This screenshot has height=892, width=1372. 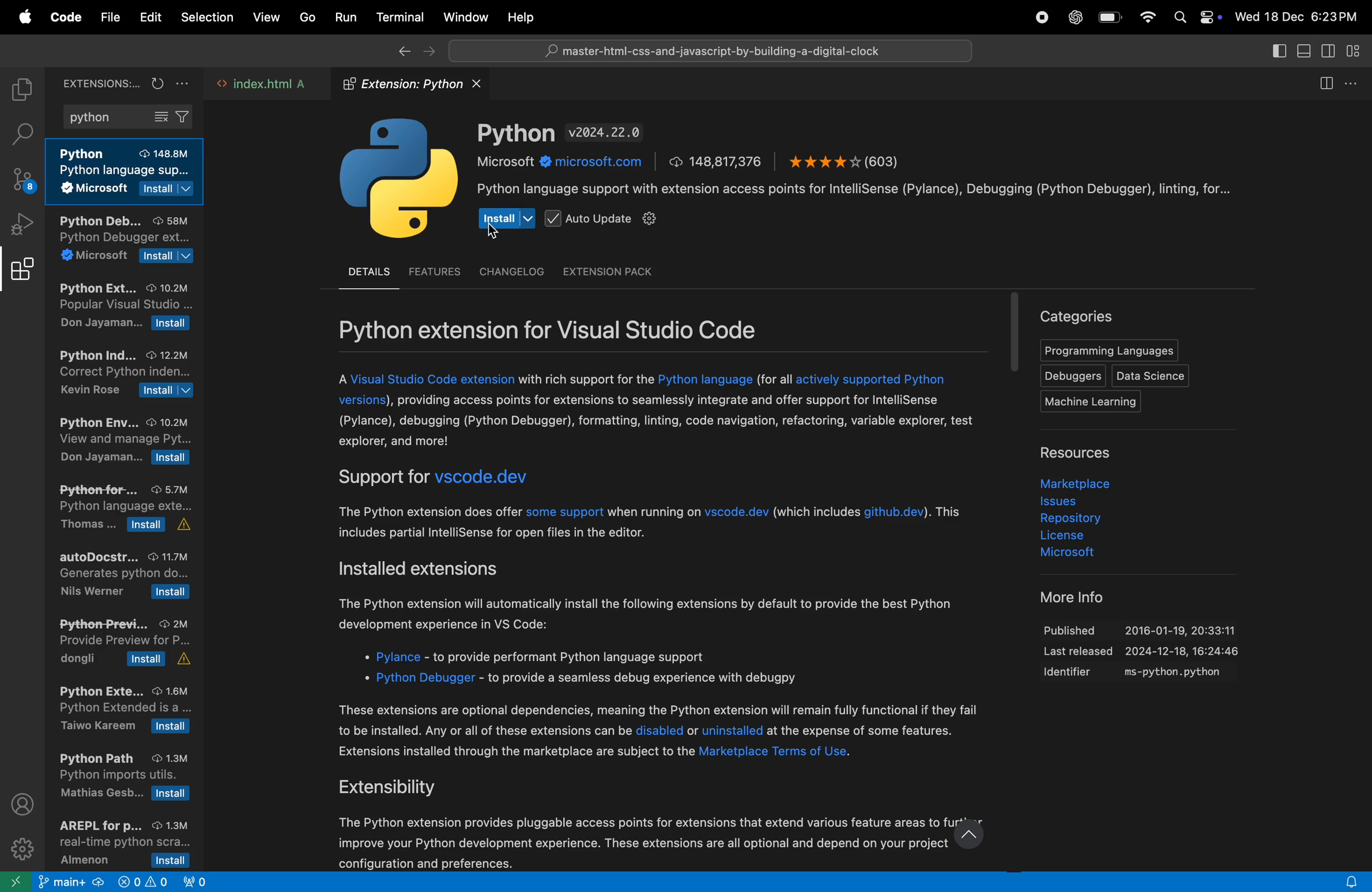 What do you see at coordinates (342, 17) in the screenshot?
I see `run` at bounding box center [342, 17].